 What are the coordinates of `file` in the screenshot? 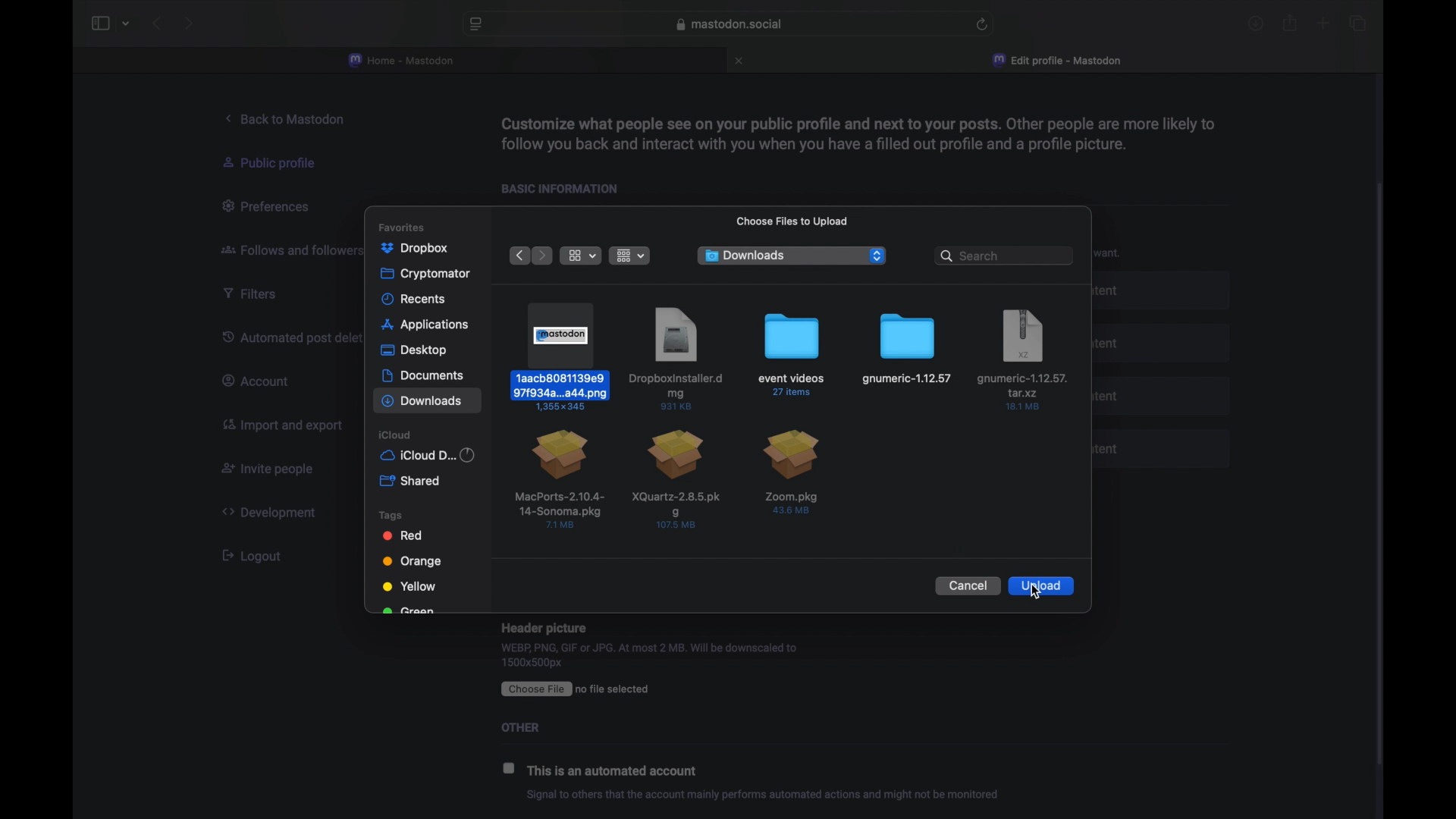 It's located at (907, 350).